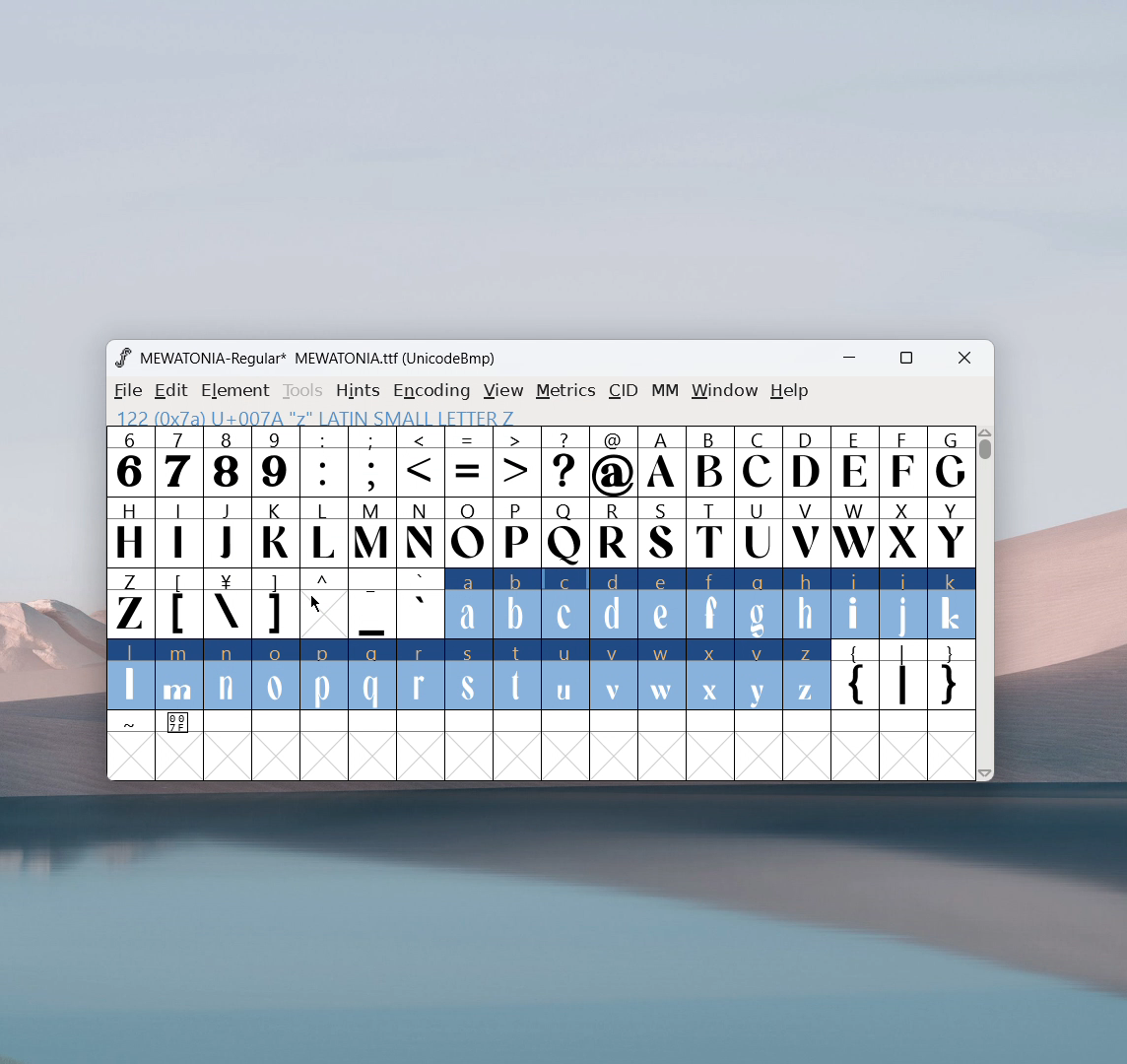 Image resolution: width=1127 pixels, height=1064 pixels. Describe the element at coordinates (666, 392) in the screenshot. I see `MM` at that location.